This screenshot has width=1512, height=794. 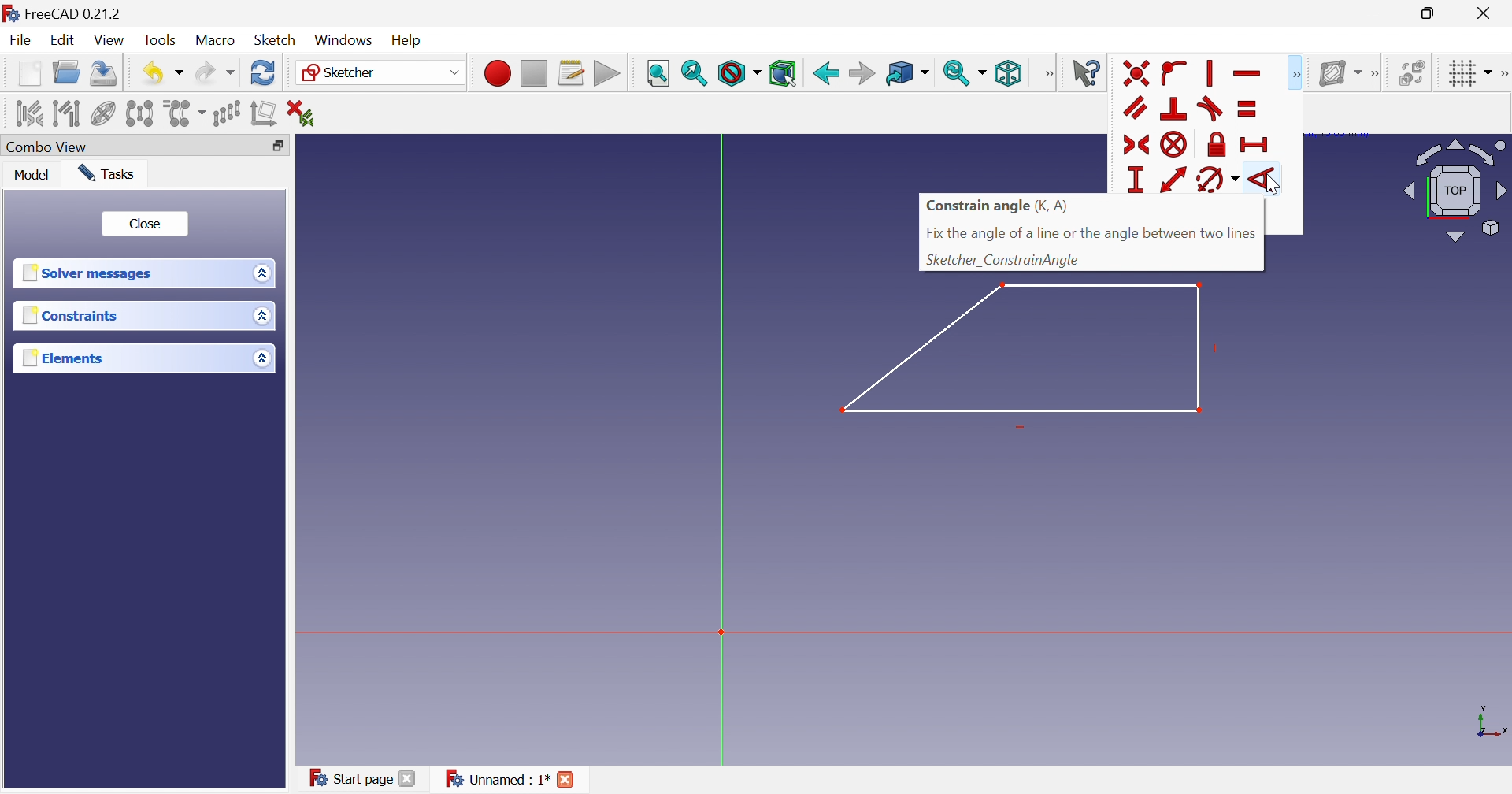 What do you see at coordinates (995, 207) in the screenshot?
I see `Constraint angle (K, A)` at bounding box center [995, 207].